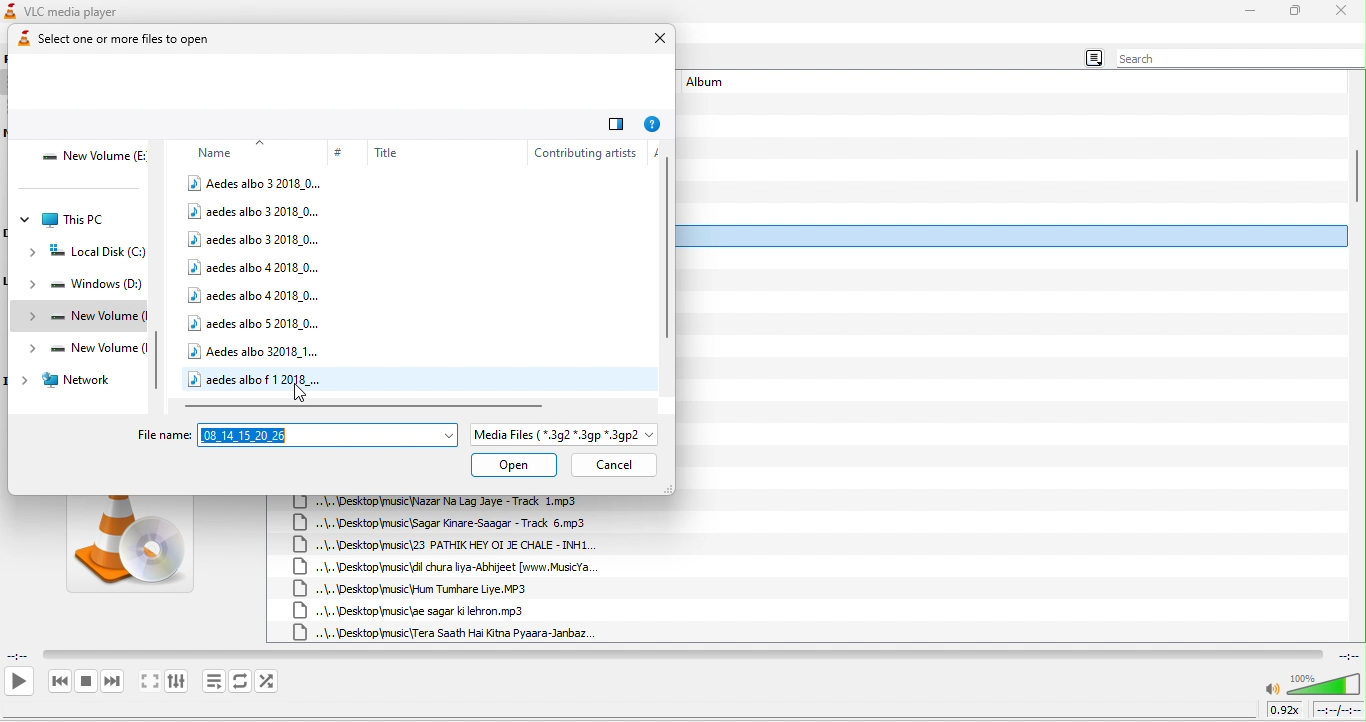 This screenshot has height=722, width=1366. Describe the element at coordinates (304, 395) in the screenshot. I see `cursor` at that location.